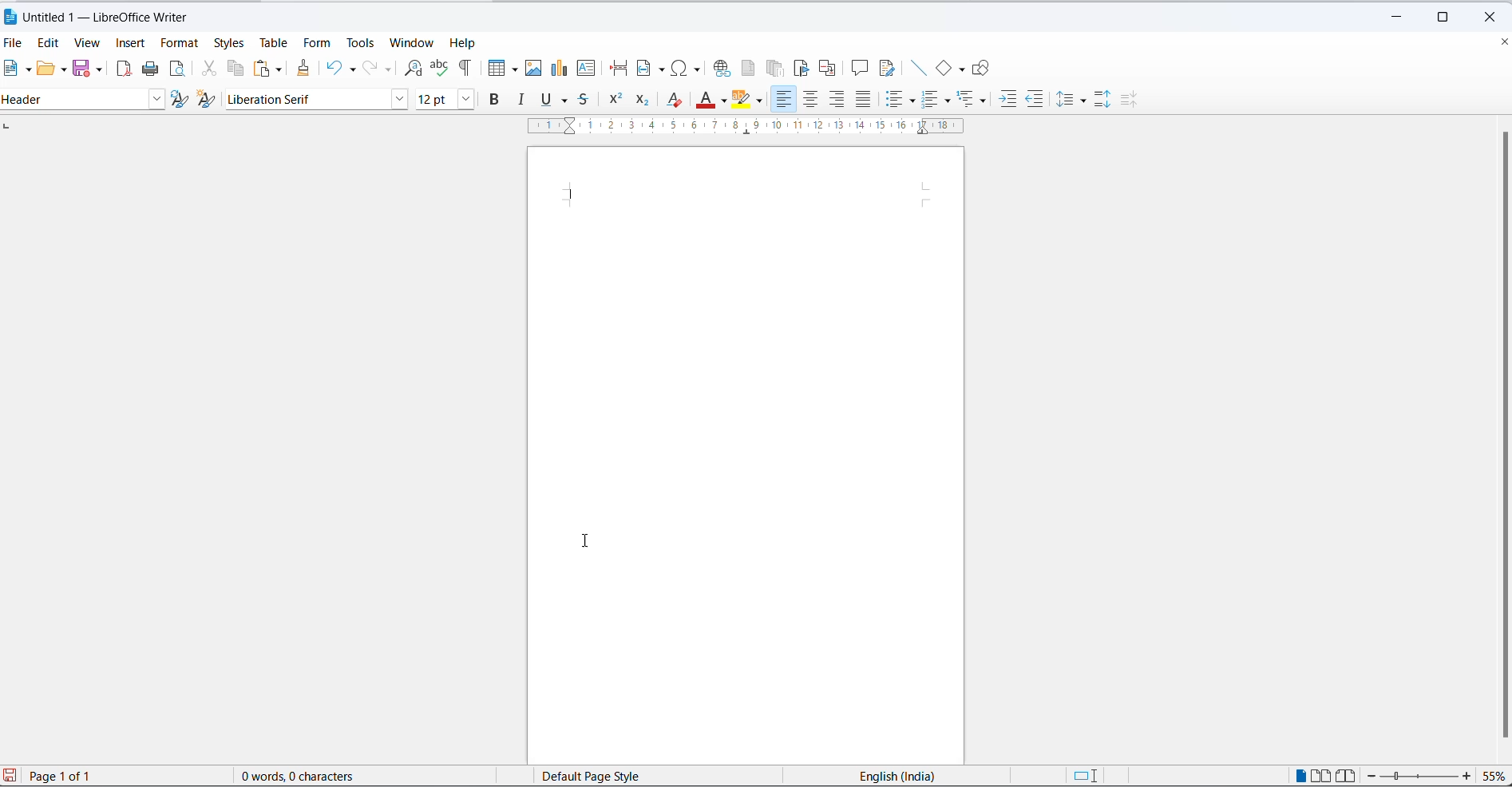  What do you see at coordinates (45, 69) in the screenshot?
I see `open` at bounding box center [45, 69].